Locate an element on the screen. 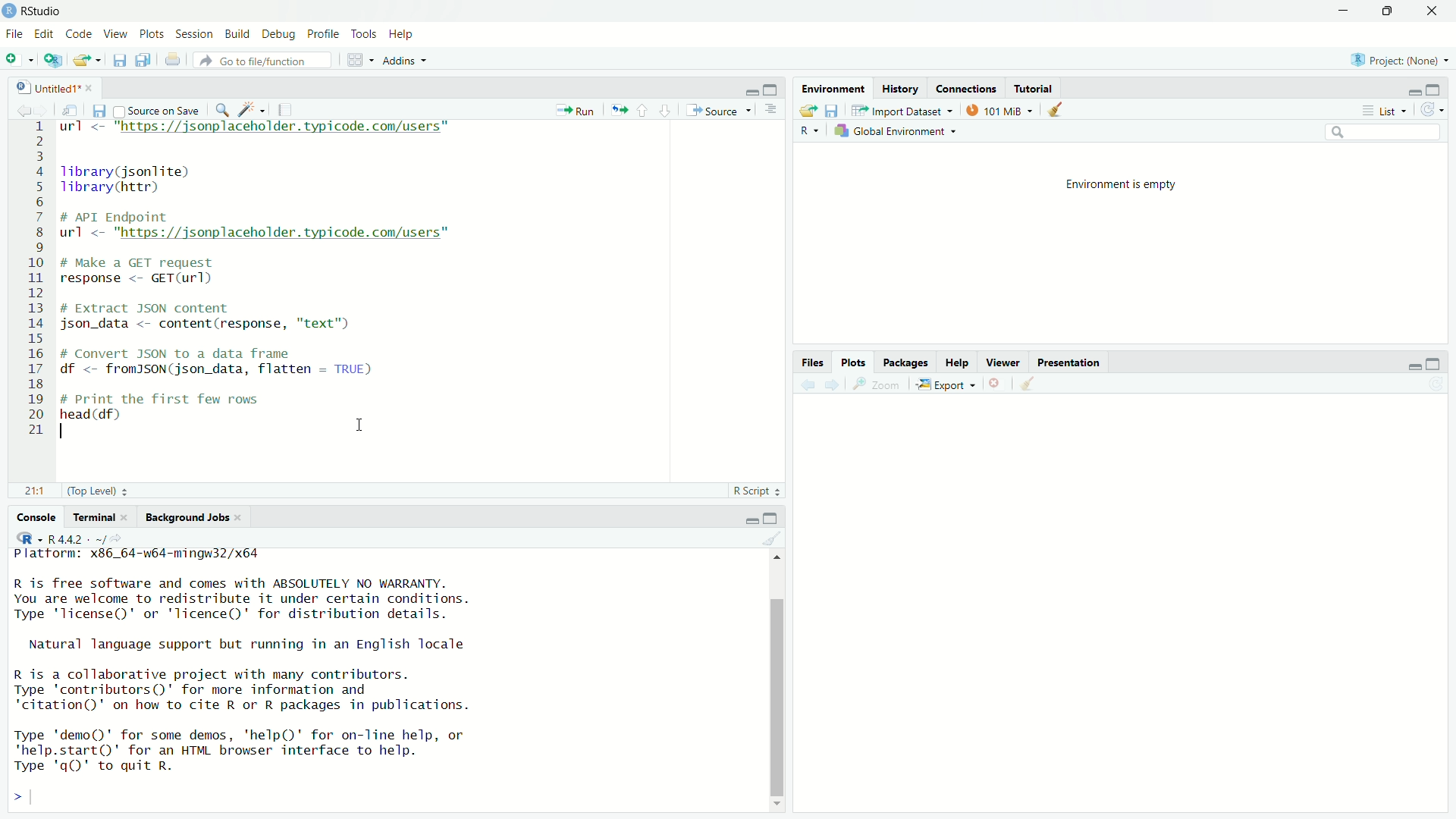 Image resolution: width=1456 pixels, height=819 pixels. Plots is located at coordinates (852, 362).